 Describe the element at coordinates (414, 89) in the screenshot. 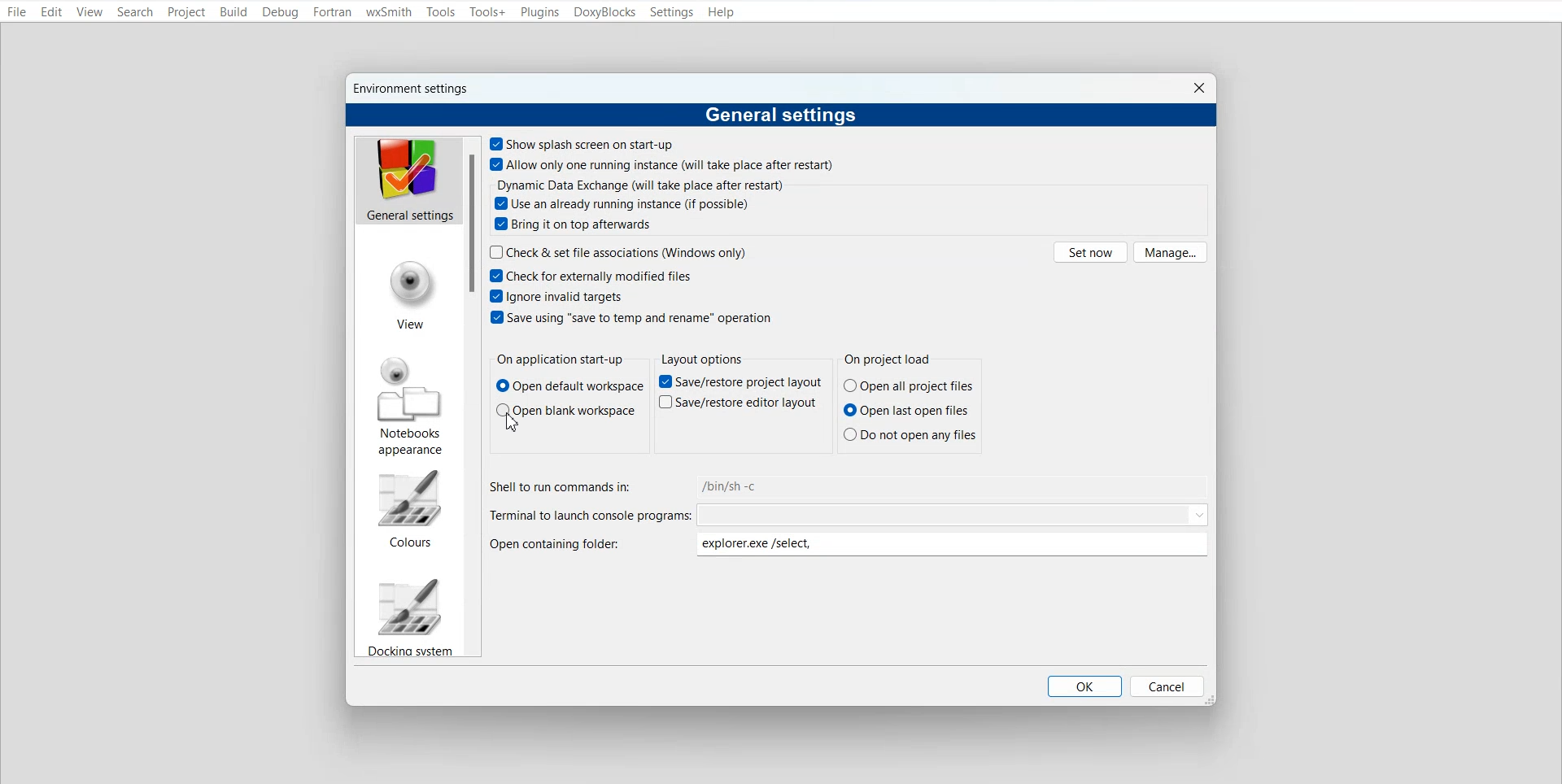

I see `Text 1` at that location.